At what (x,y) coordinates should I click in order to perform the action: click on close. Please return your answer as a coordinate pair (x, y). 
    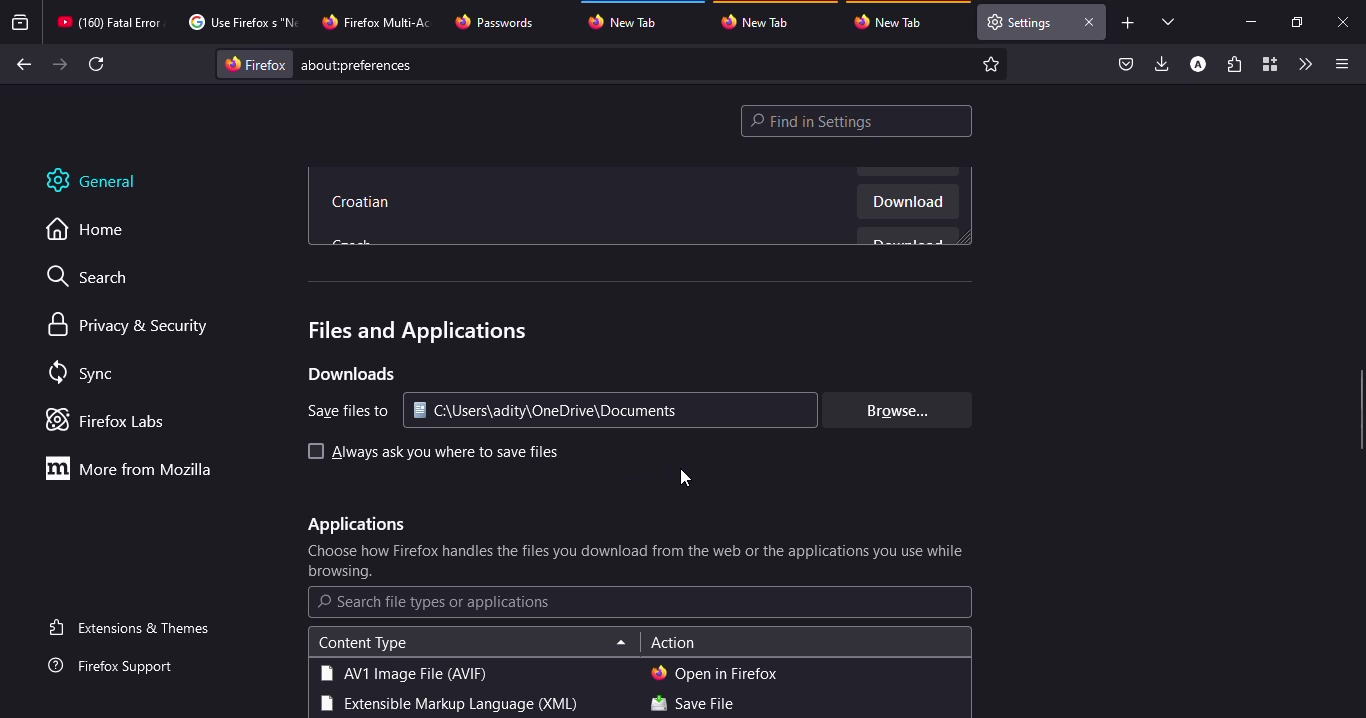
    Looking at the image, I should click on (1345, 23).